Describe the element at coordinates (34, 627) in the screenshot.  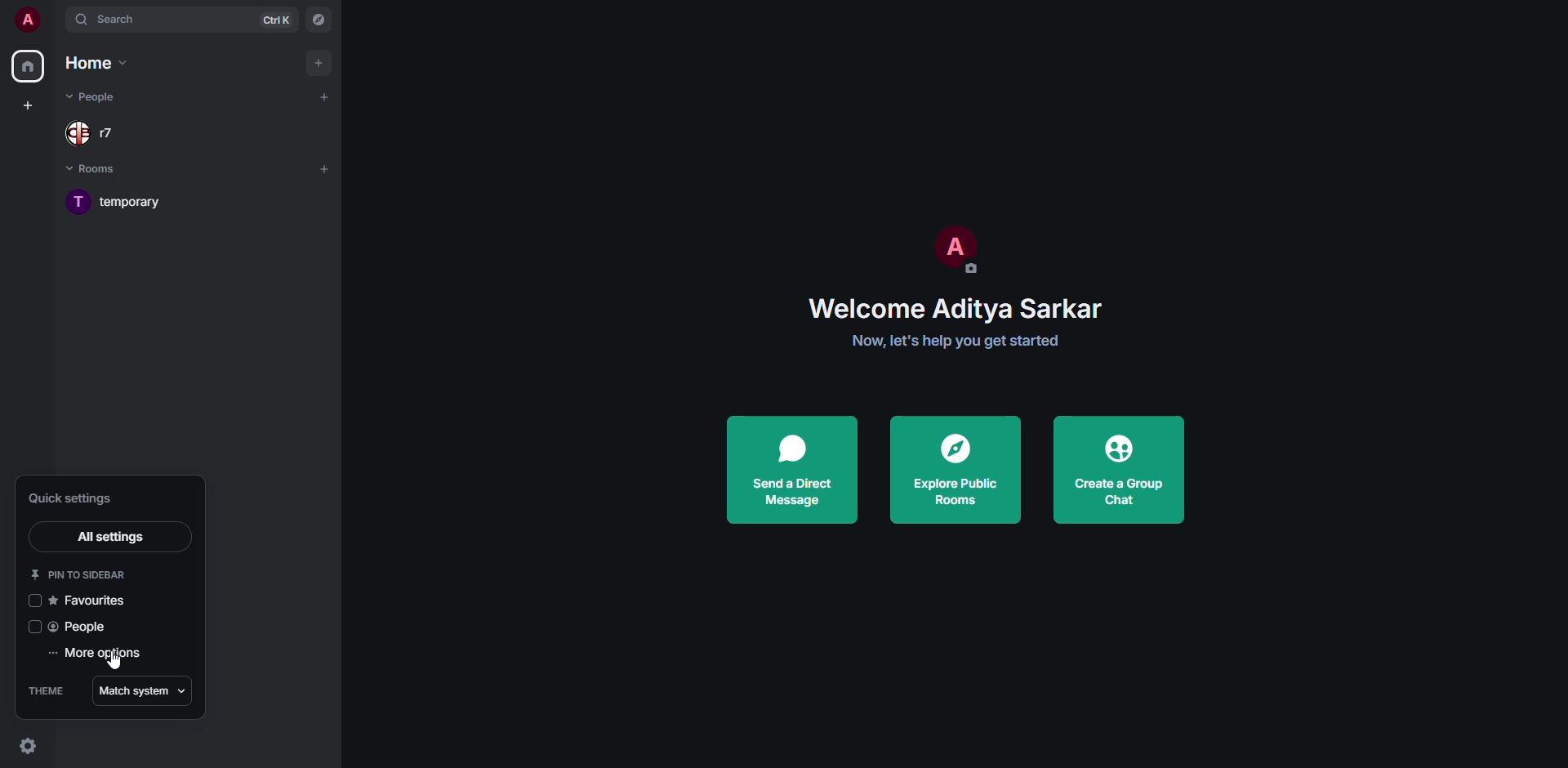
I see `click to enable` at that location.